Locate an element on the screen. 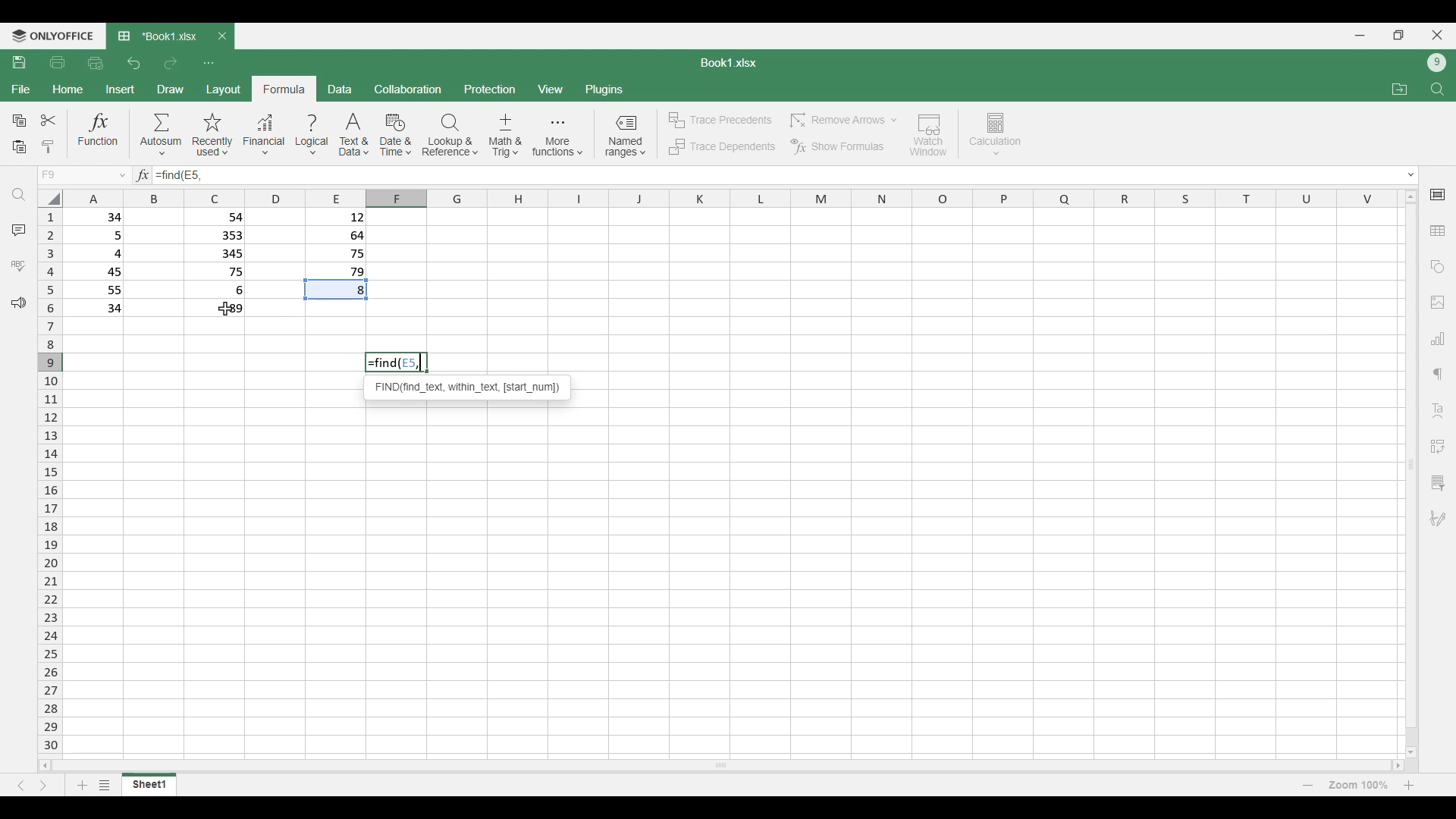 Image resolution: width=1456 pixels, height=819 pixels. Insert shapes is located at coordinates (1438, 267).